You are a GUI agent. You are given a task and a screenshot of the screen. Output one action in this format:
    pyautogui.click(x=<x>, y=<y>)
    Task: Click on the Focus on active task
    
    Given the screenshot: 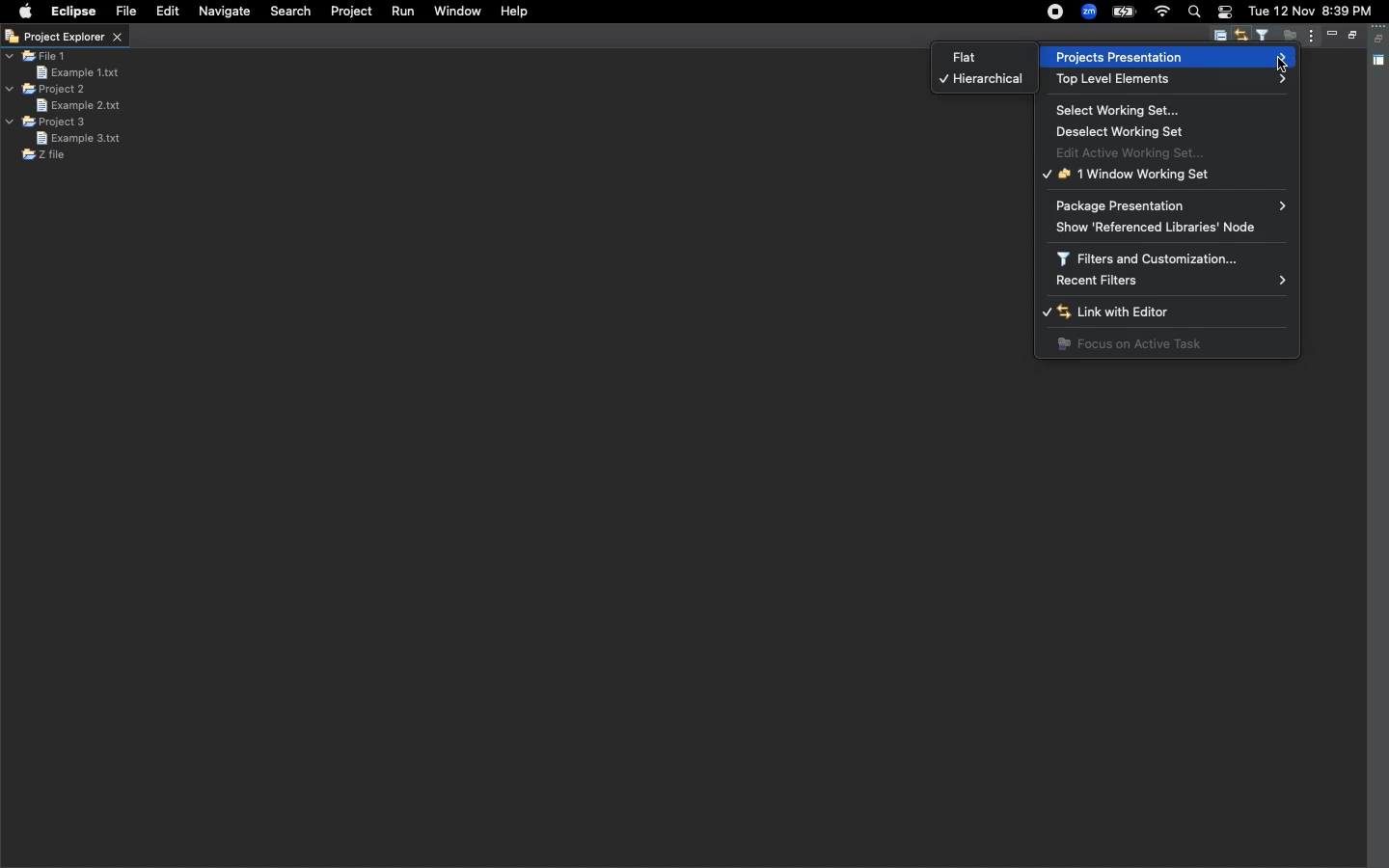 What is the action you would take?
    pyautogui.click(x=1130, y=344)
    